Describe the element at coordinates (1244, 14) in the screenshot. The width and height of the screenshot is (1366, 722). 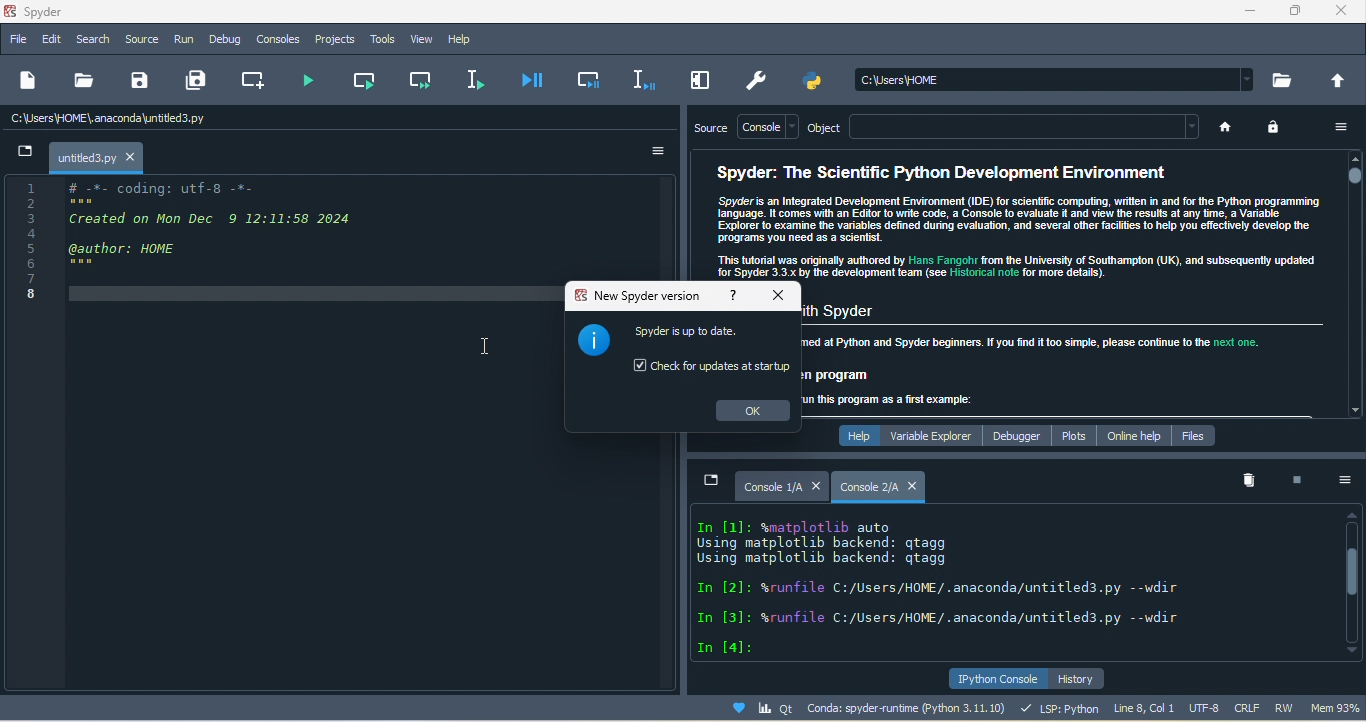
I see `minimize` at that location.